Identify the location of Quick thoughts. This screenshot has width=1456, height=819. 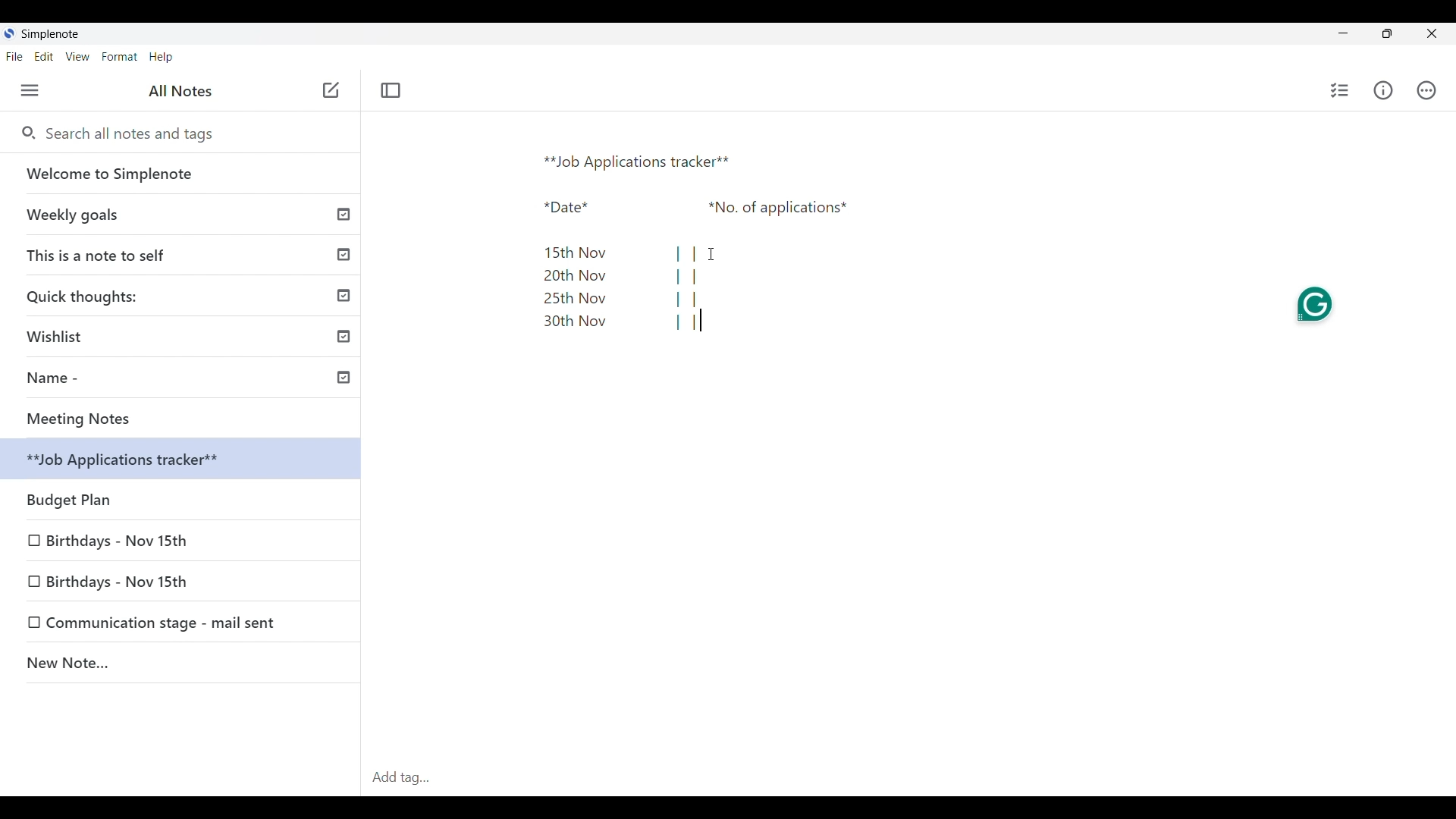
(183, 295).